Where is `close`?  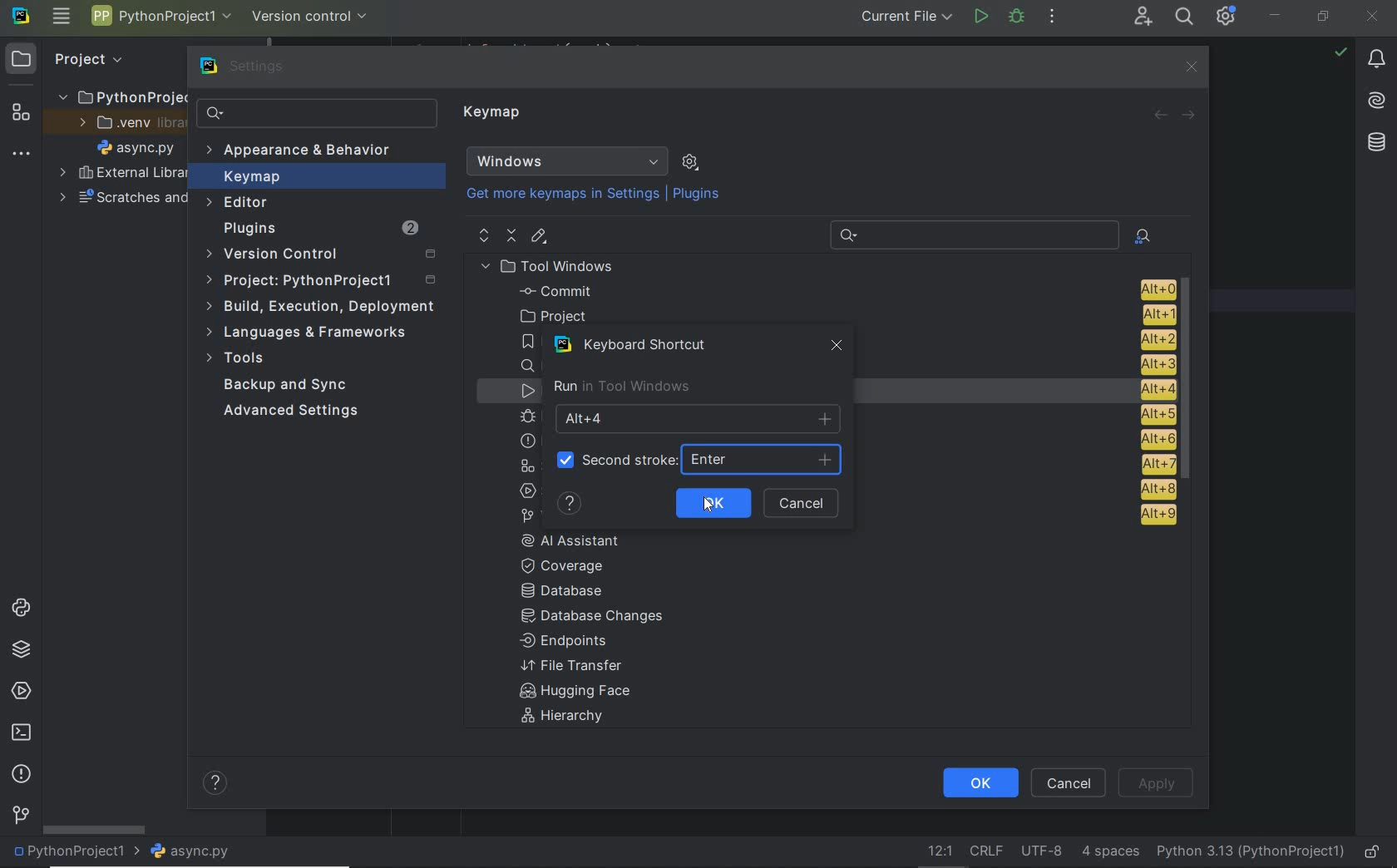 close is located at coordinates (1190, 67).